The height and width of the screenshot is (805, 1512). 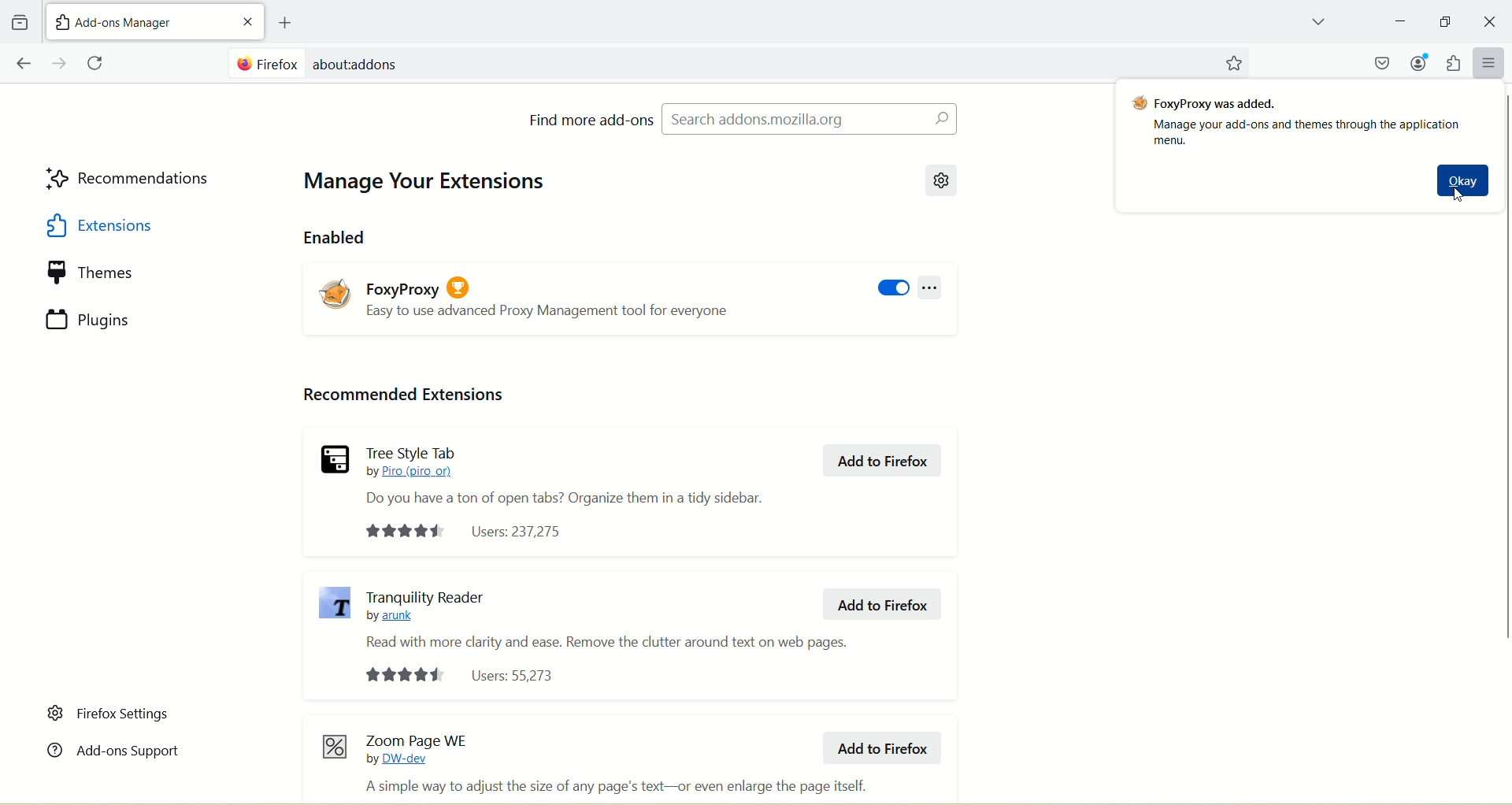 I want to click on Firefox settings, so click(x=110, y=714).